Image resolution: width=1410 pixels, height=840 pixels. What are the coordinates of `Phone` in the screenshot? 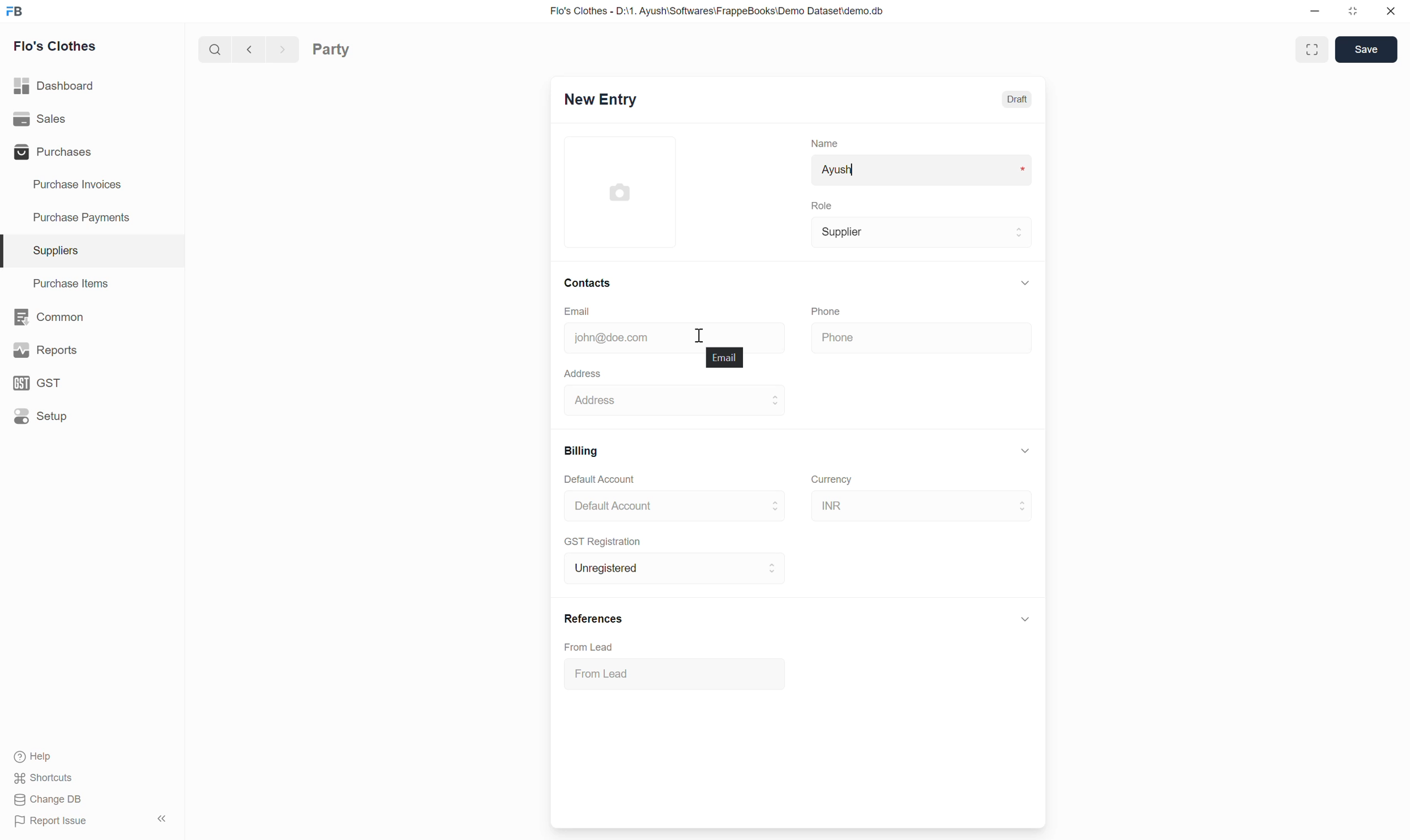 It's located at (921, 338).